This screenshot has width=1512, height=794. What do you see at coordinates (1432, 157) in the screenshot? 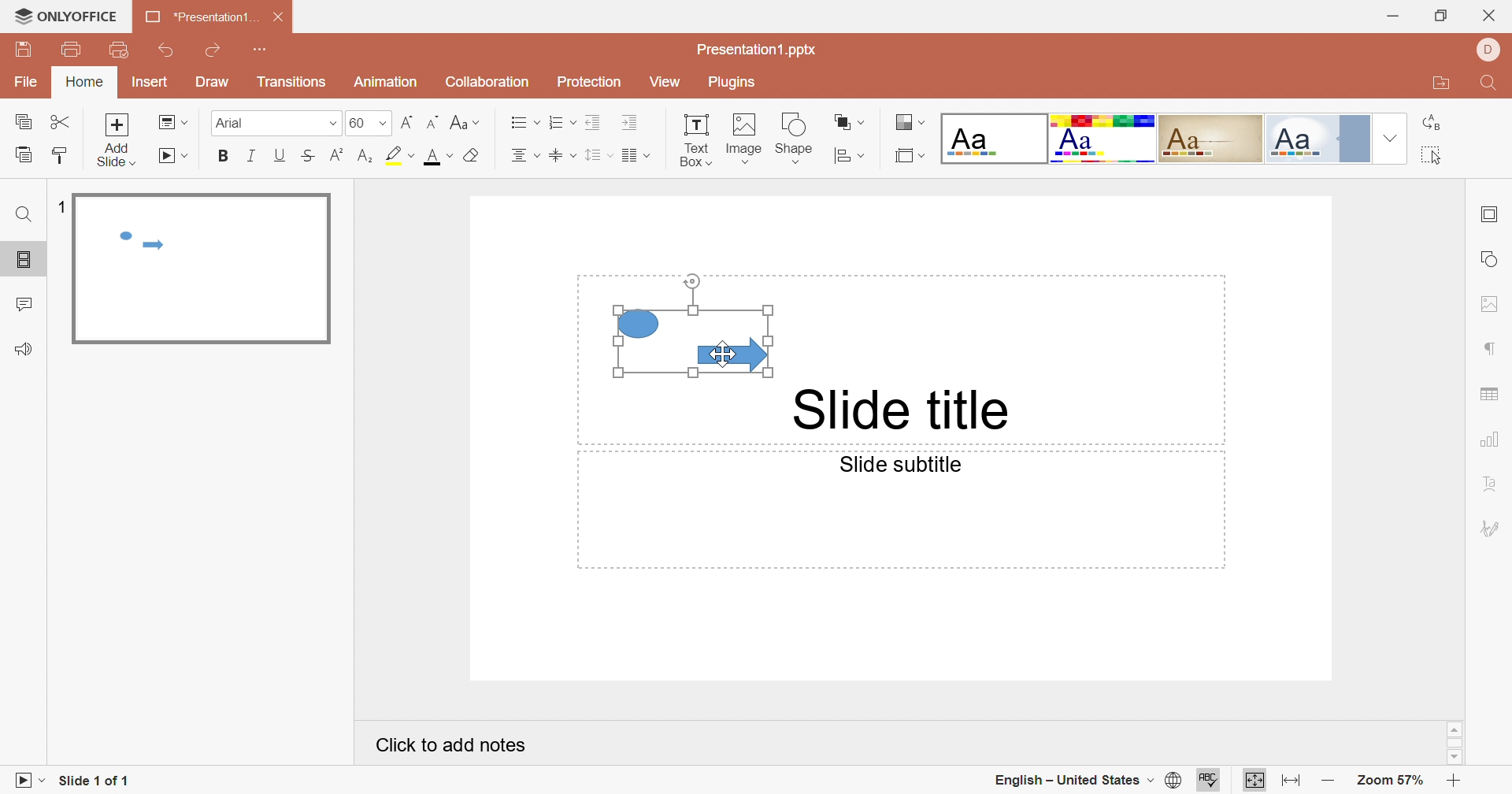
I see `Select all` at bounding box center [1432, 157].